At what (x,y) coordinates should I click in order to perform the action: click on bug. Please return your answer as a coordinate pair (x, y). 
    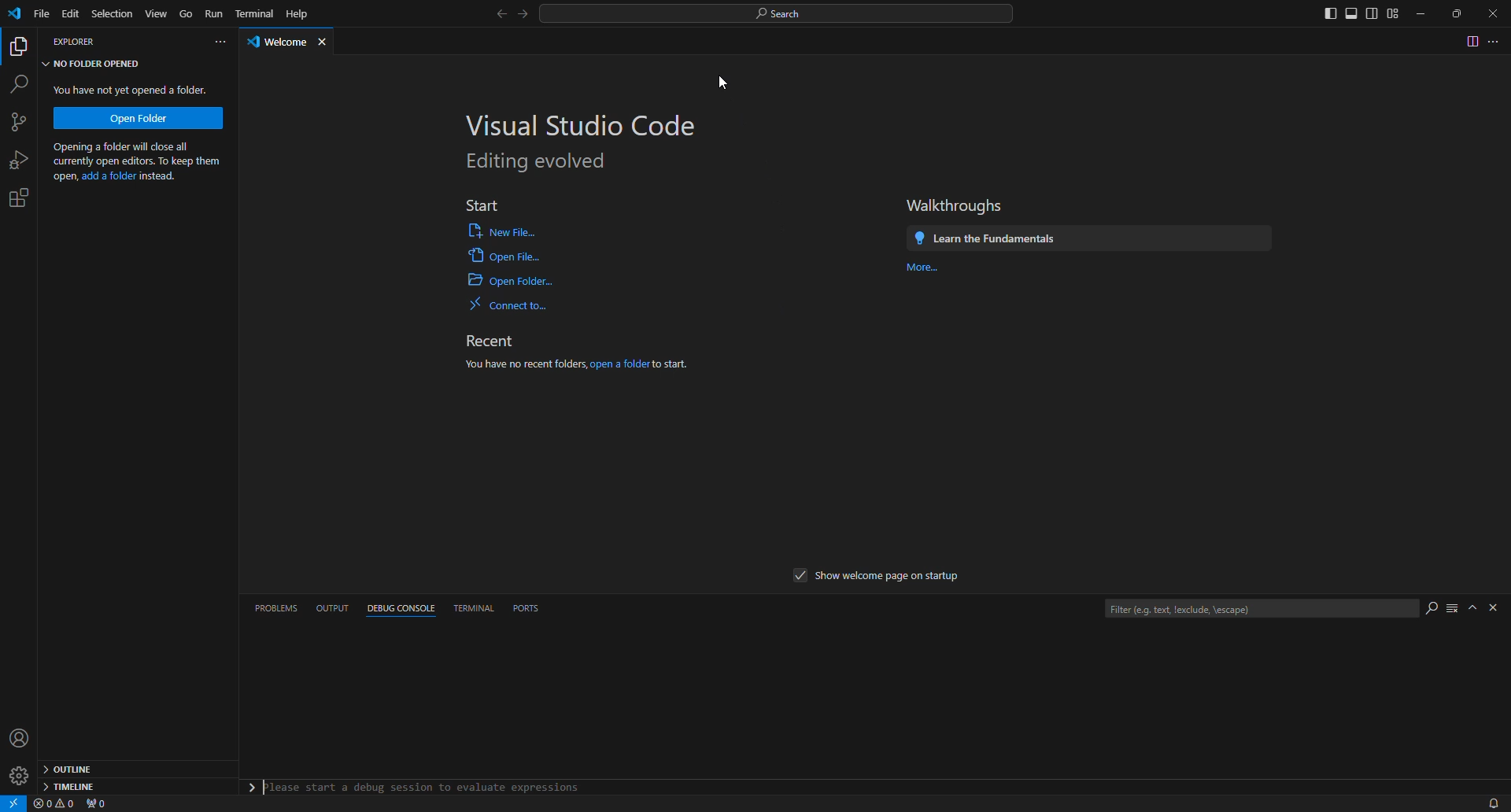
    Looking at the image, I should click on (16, 157).